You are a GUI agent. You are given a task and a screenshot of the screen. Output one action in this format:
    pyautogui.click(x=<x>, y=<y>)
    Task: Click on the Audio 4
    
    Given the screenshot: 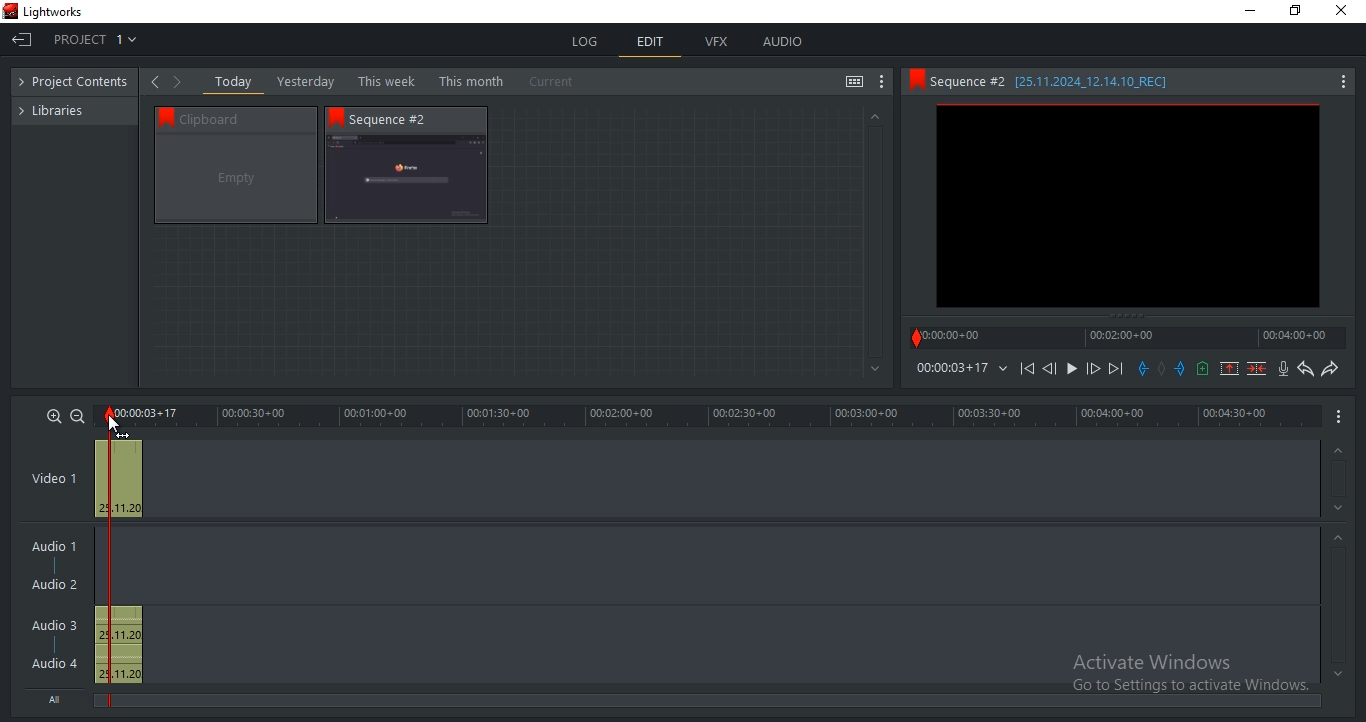 What is the action you would take?
    pyautogui.click(x=55, y=662)
    